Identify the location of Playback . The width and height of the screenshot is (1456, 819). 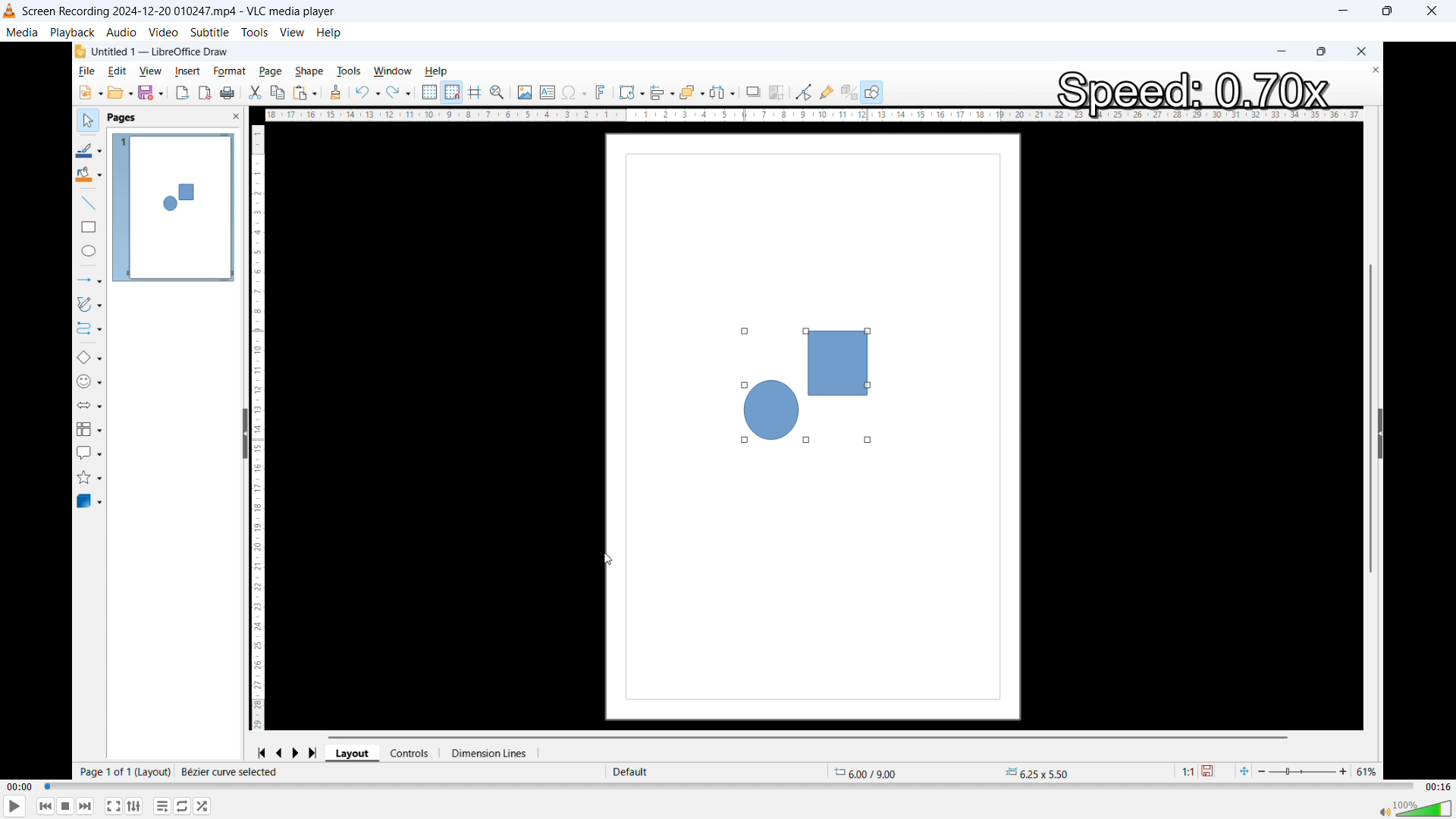
(72, 32).